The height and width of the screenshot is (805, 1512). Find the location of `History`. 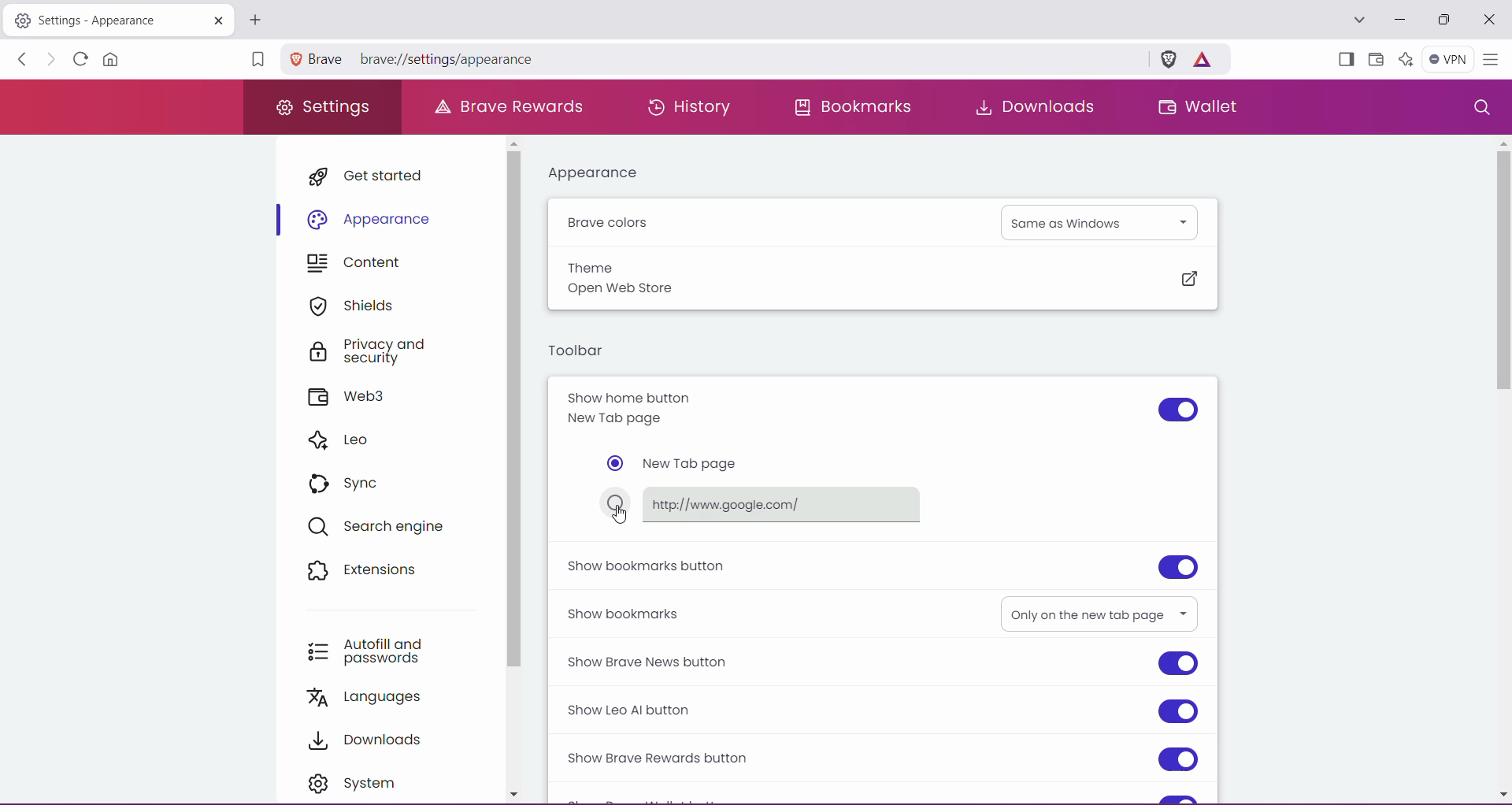

History is located at coordinates (685, 106).